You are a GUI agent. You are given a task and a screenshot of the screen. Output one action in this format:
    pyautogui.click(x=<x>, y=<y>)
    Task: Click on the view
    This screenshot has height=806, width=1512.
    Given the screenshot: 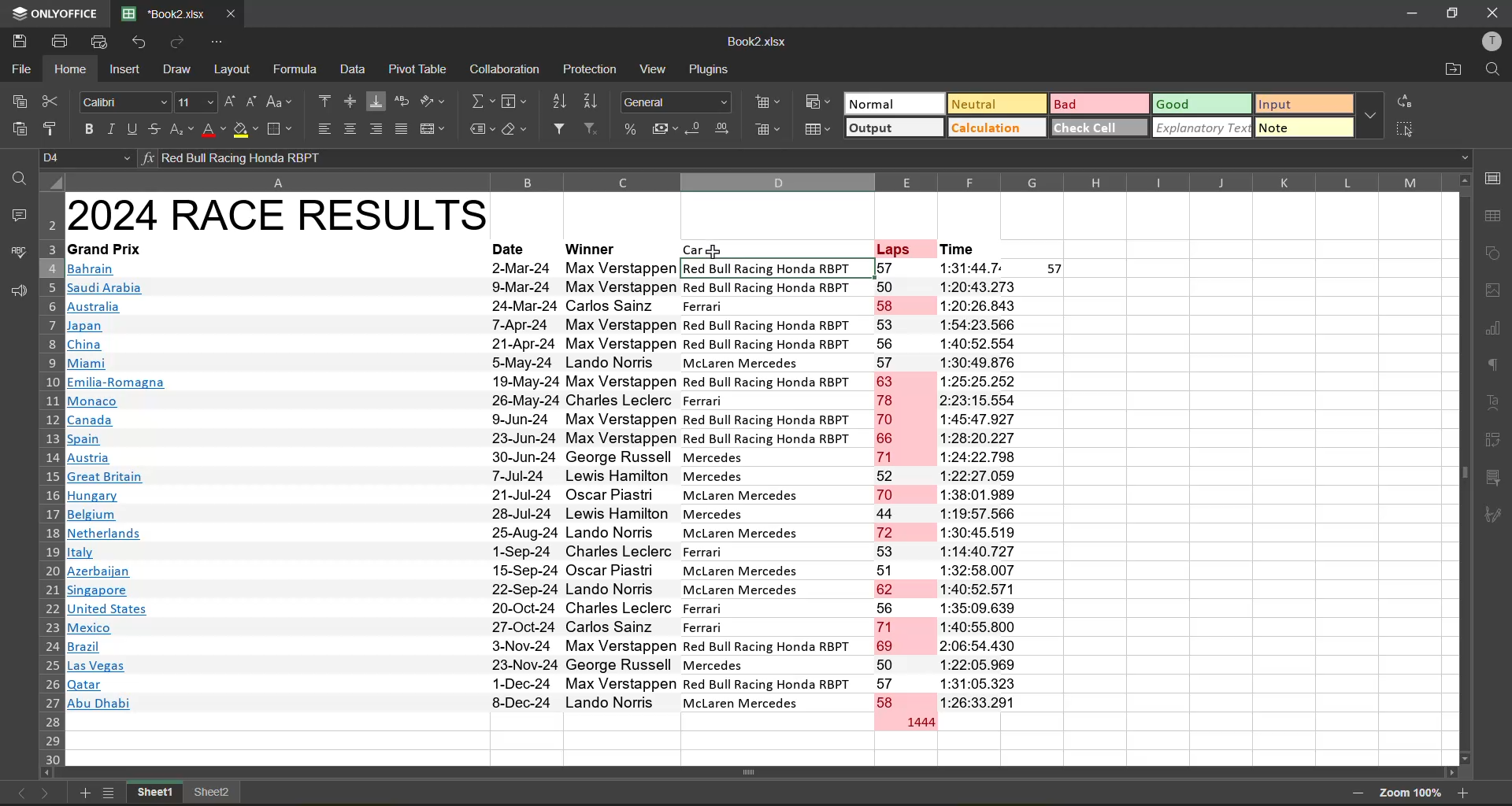 What is the action you would take?
    pyautogui.click(x=657, y=68)
    